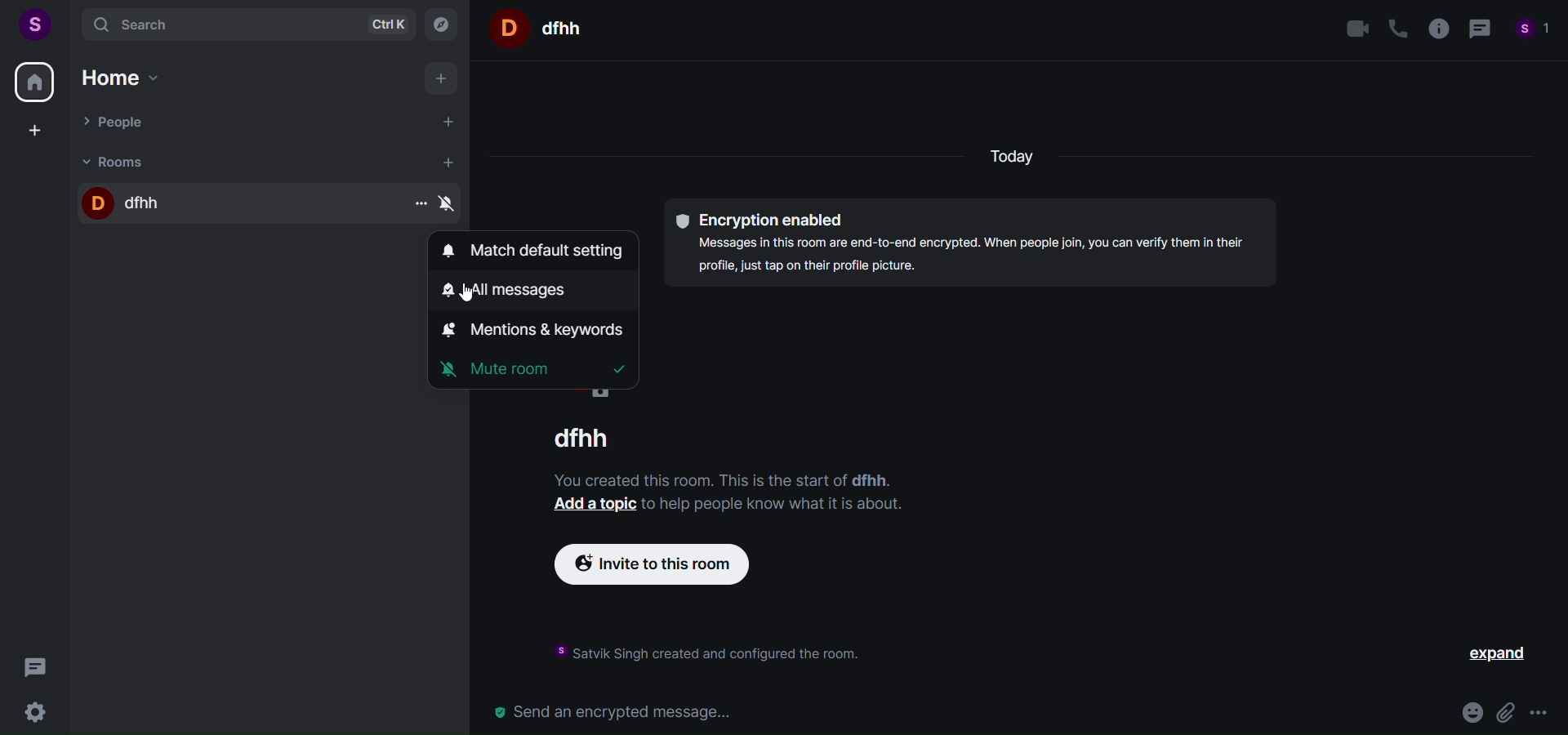  Describe the element at coordinates (1018, 159) in the screenshot. I see `Today` at that location.